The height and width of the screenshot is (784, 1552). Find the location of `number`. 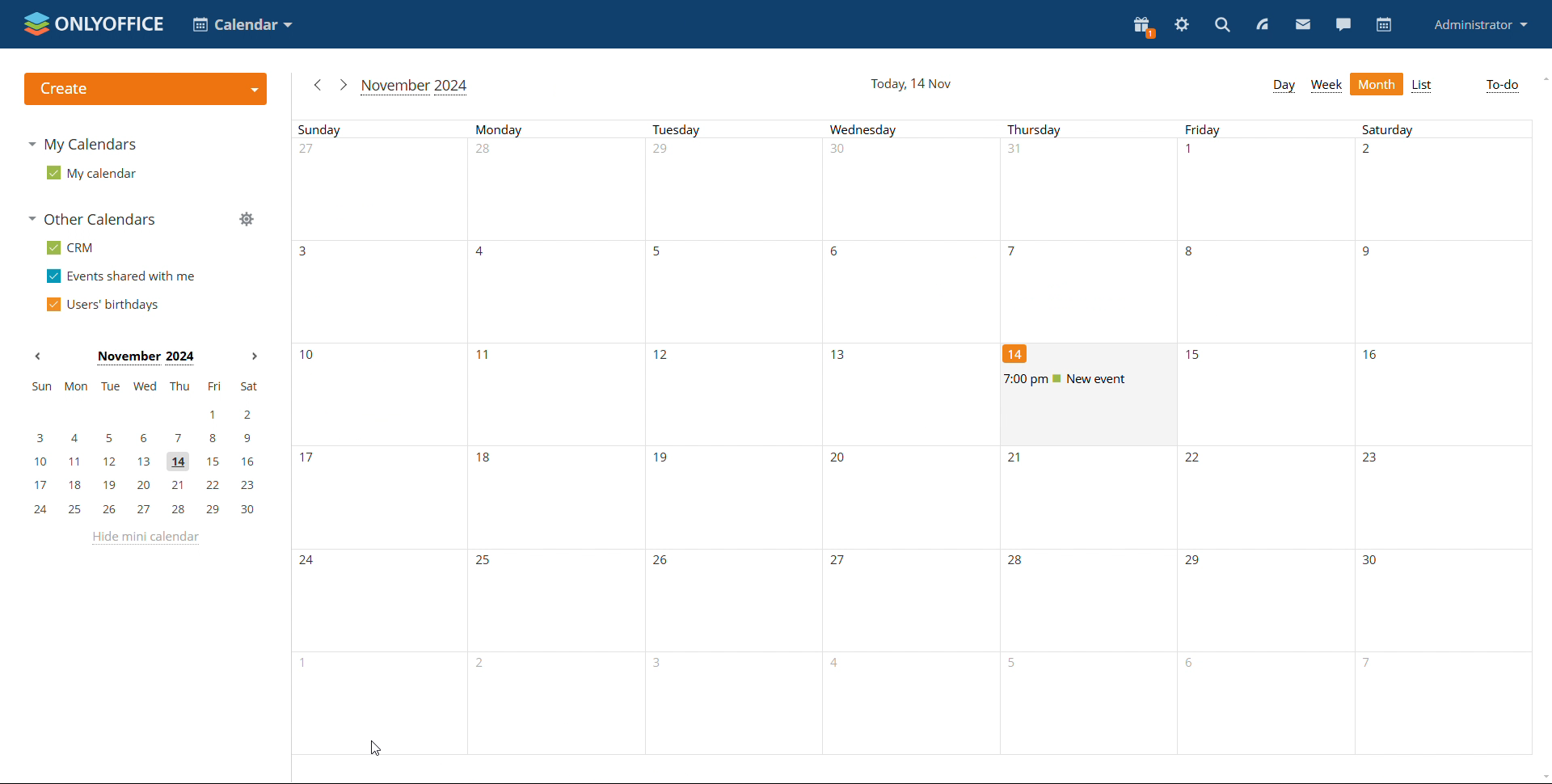

number is located at coordinates (306, 457).